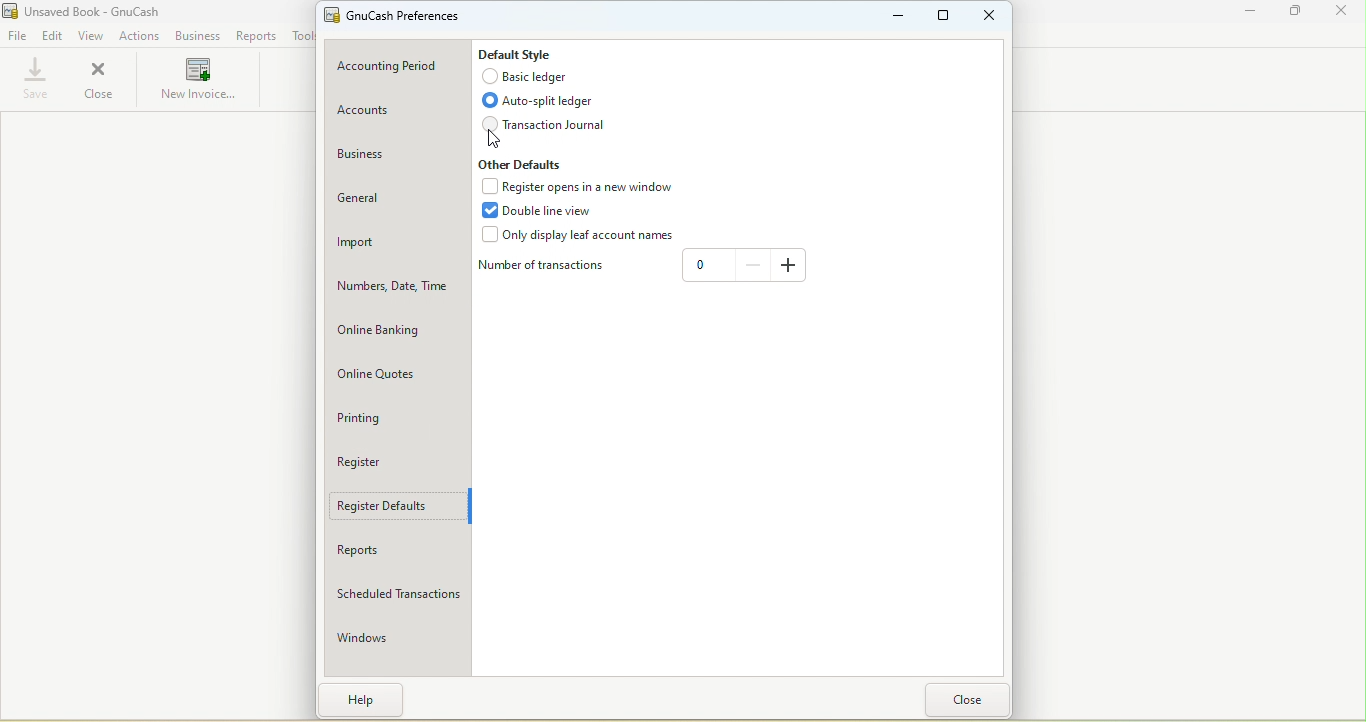 Image resolution: width=1366 pixels, height=722 pixels. I want to click on Unsaved Book - GnuCash, so click(92, 11).